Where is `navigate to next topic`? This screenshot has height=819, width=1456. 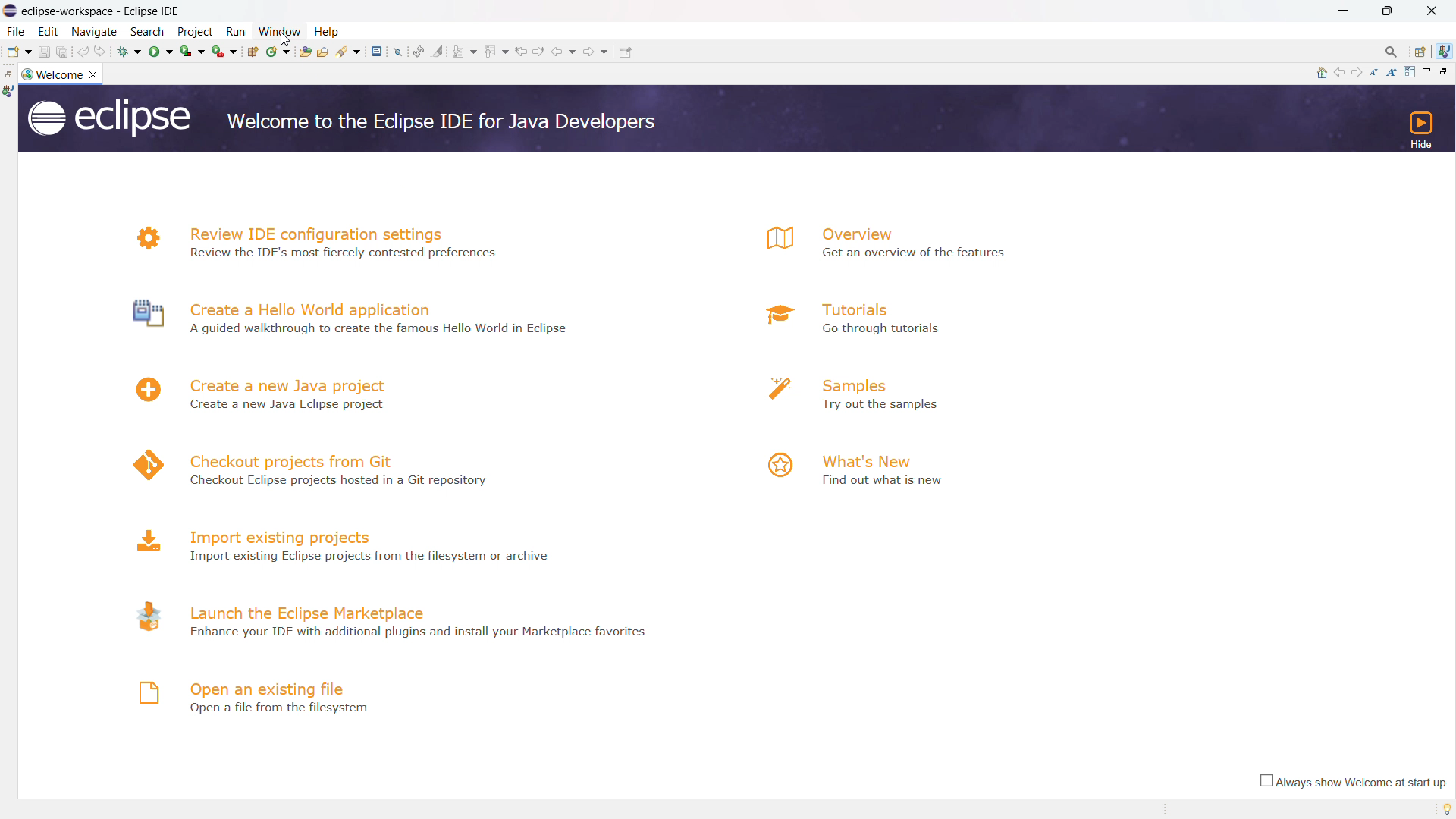
navigate to next topic is located at coordinates (1358, 73).